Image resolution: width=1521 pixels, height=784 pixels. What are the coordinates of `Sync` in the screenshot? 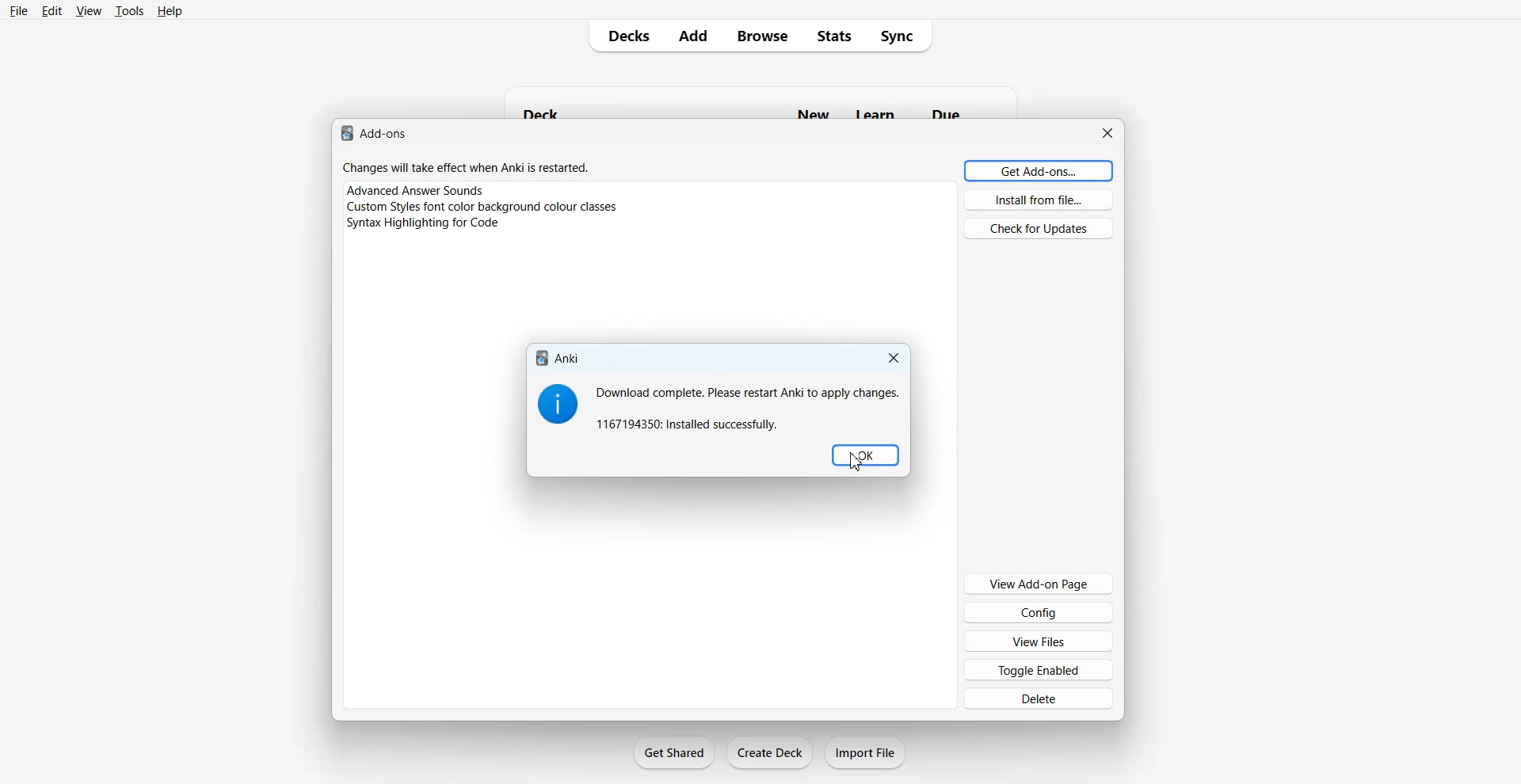 It's located at (904, 36).